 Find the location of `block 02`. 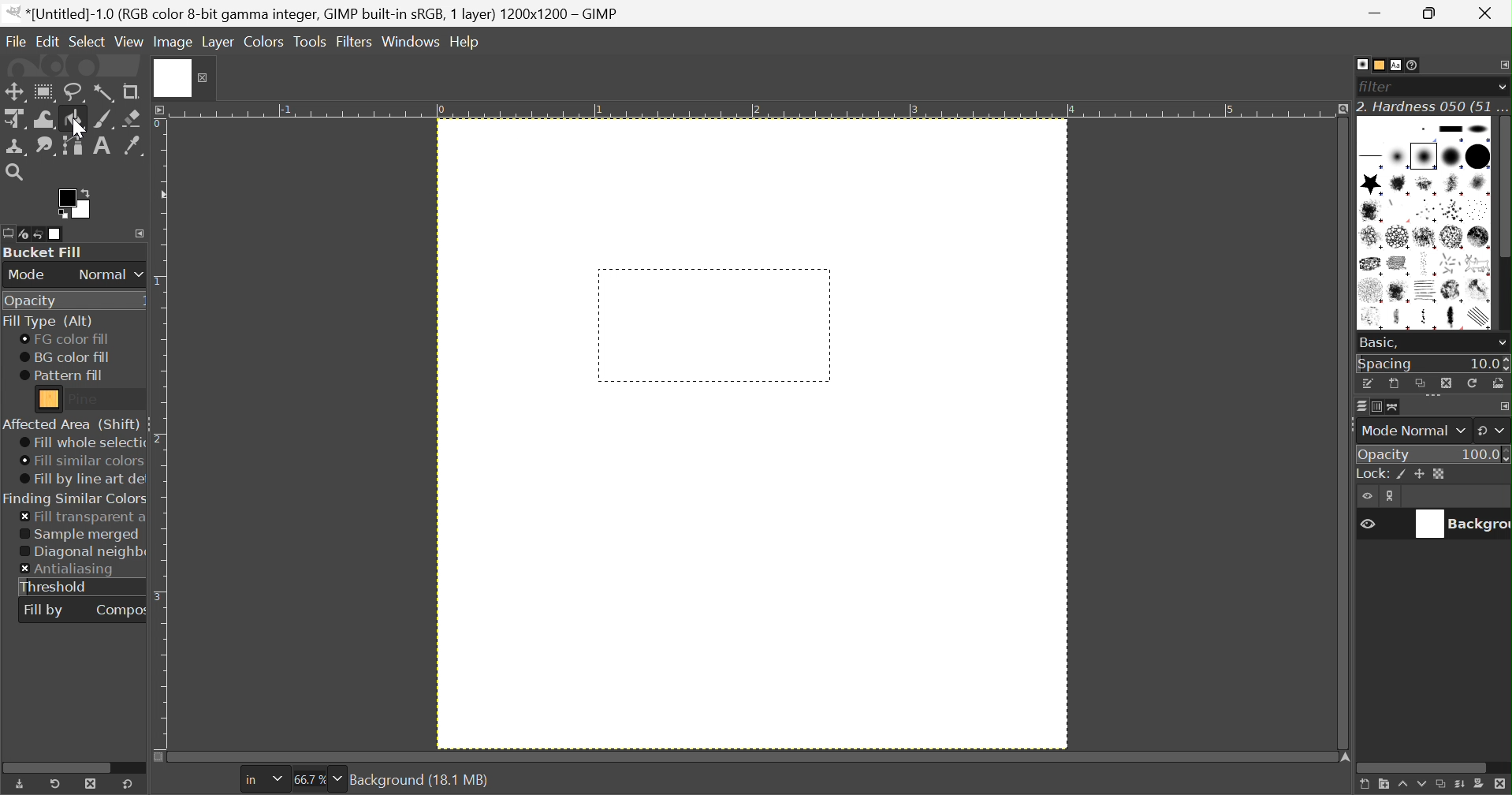

block 02 is located at coordinates (1479, 129).